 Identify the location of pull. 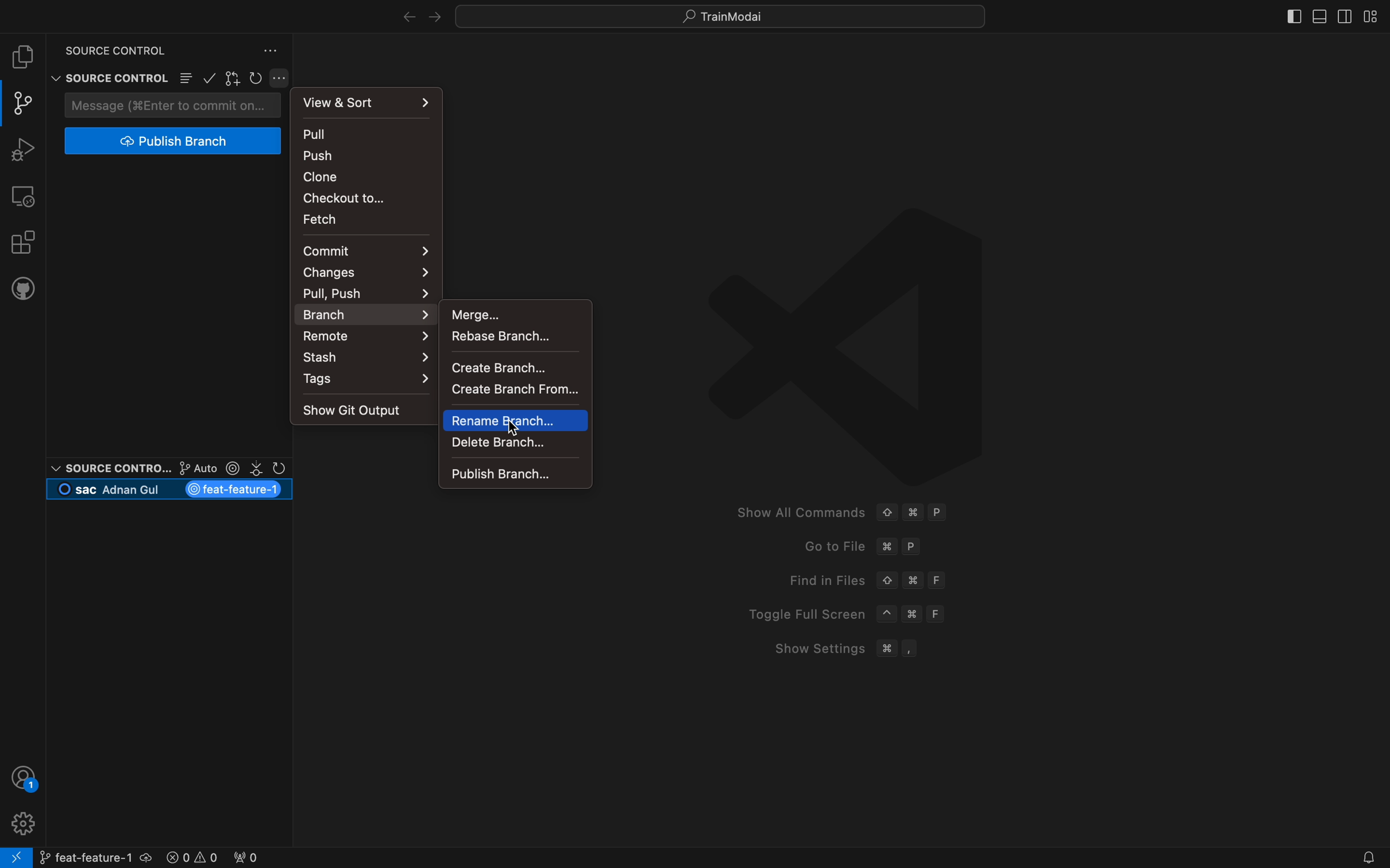
(370, 133).